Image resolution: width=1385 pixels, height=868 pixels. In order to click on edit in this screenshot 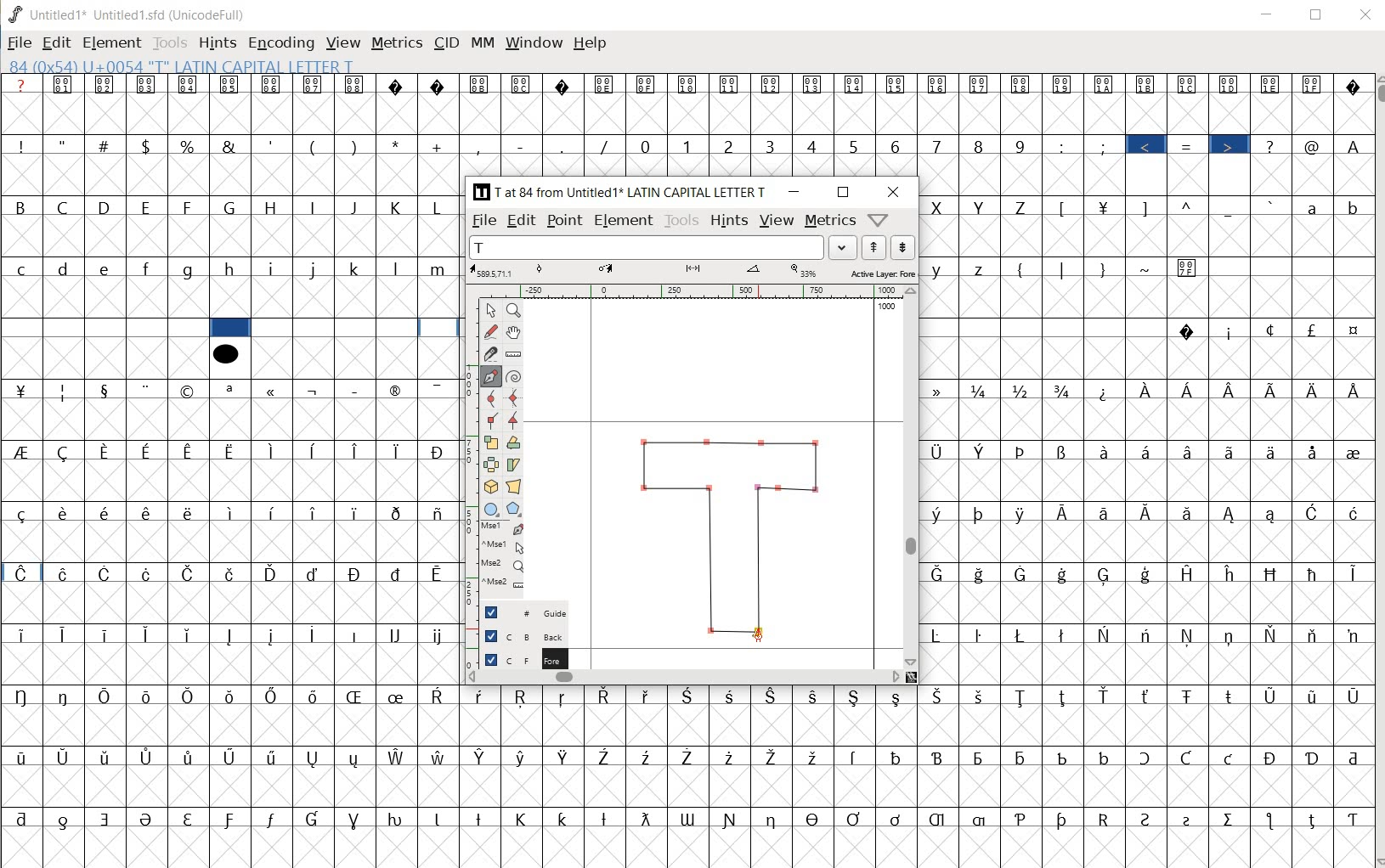, I will do `click(56, 42)`.